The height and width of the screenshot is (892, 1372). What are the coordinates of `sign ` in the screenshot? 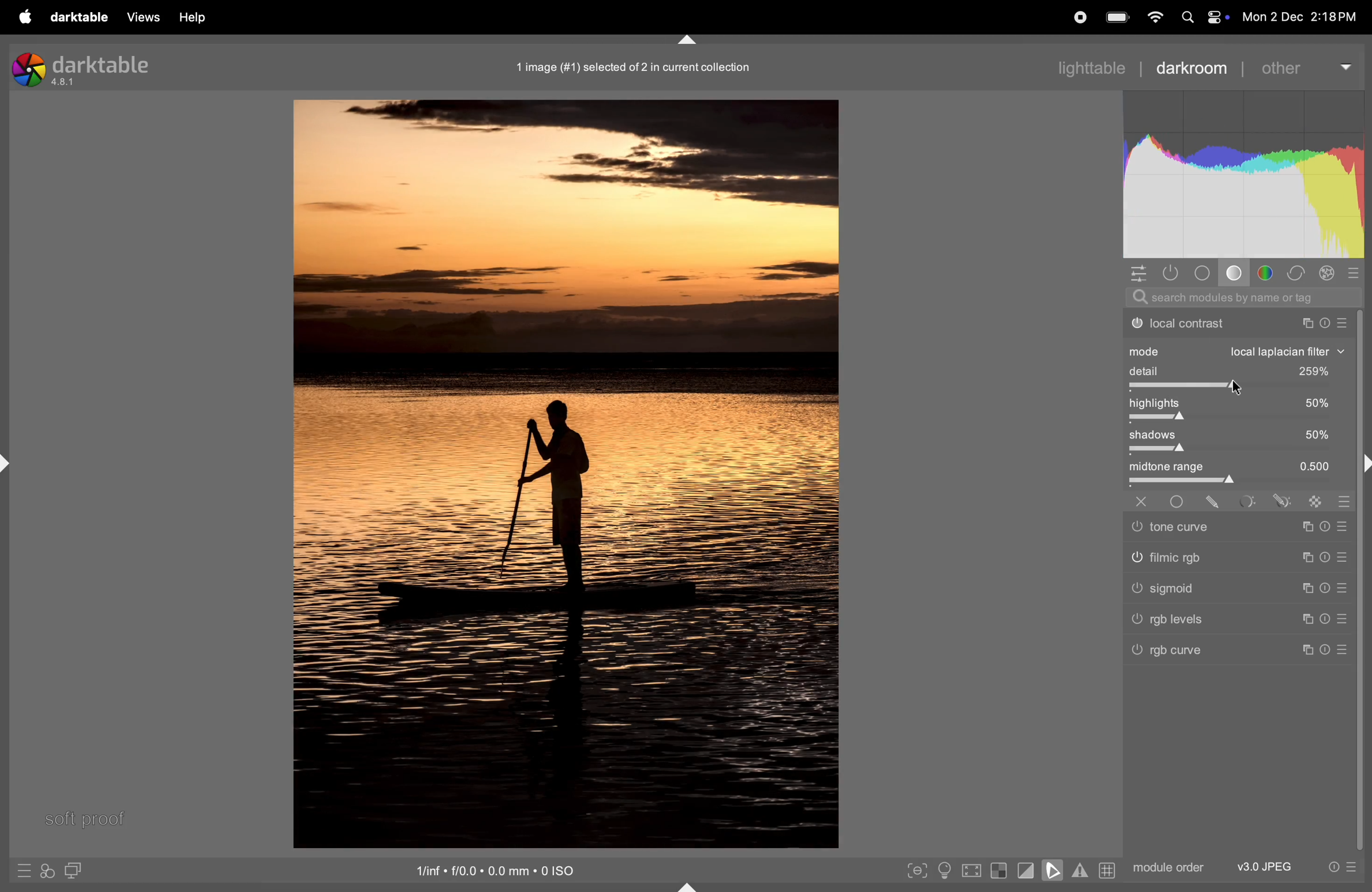 It's located at (1306, 649).